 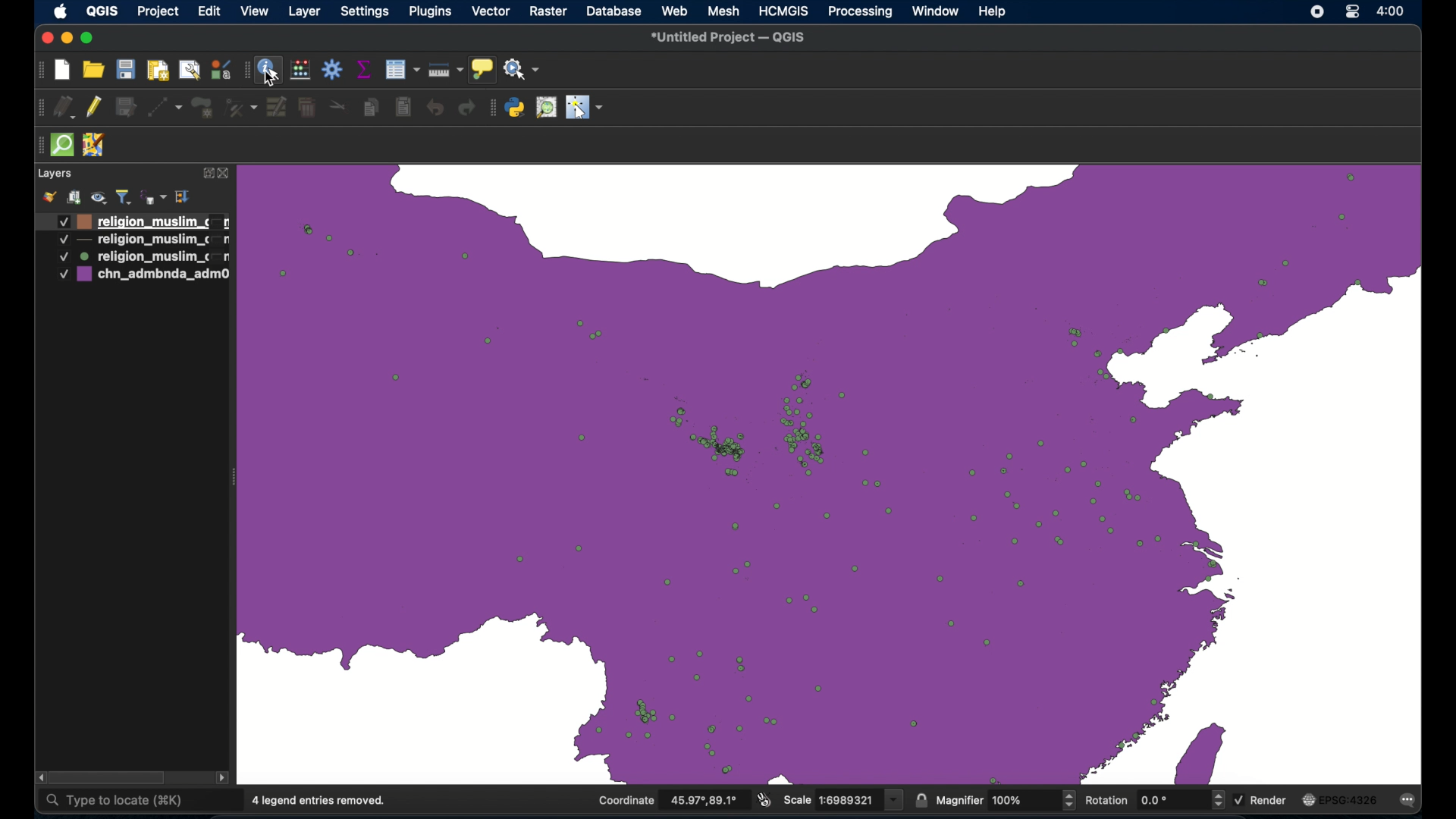 I want to click on print layout, so click(x=155, y=69).